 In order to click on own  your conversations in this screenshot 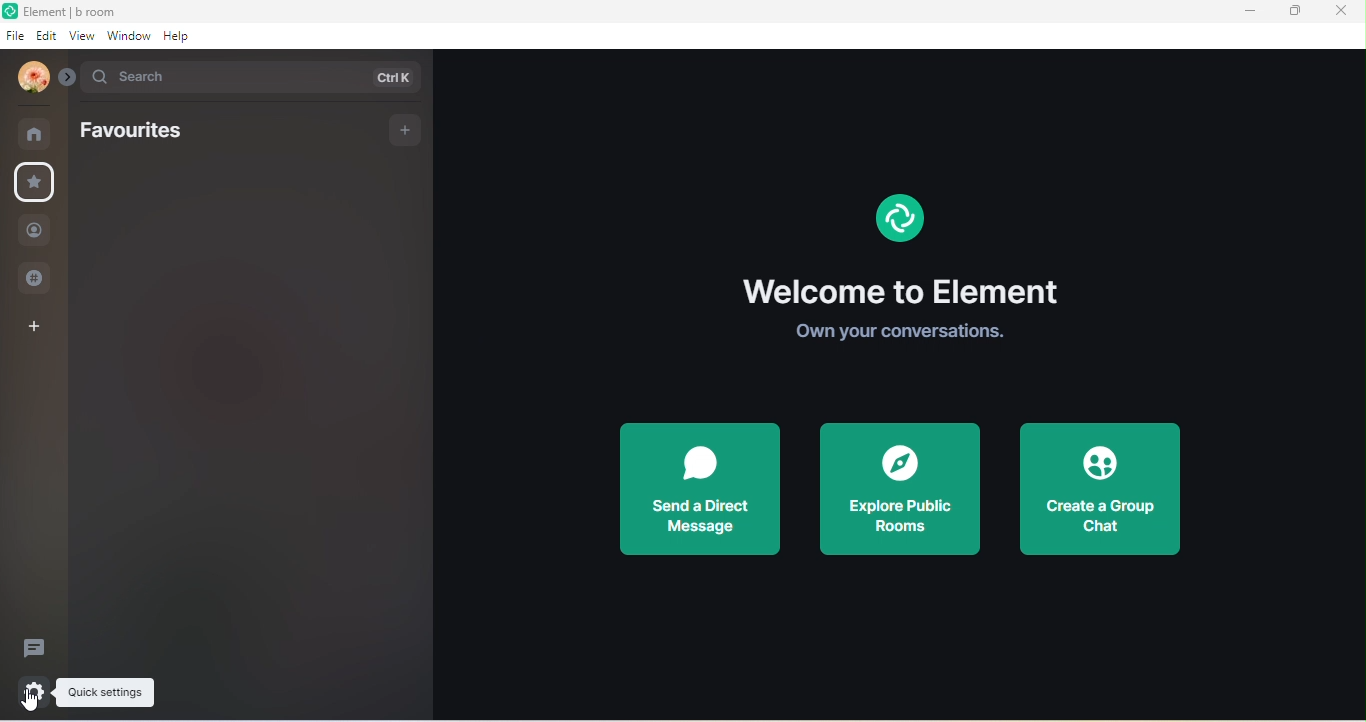, I will do `click(911, 335)`.